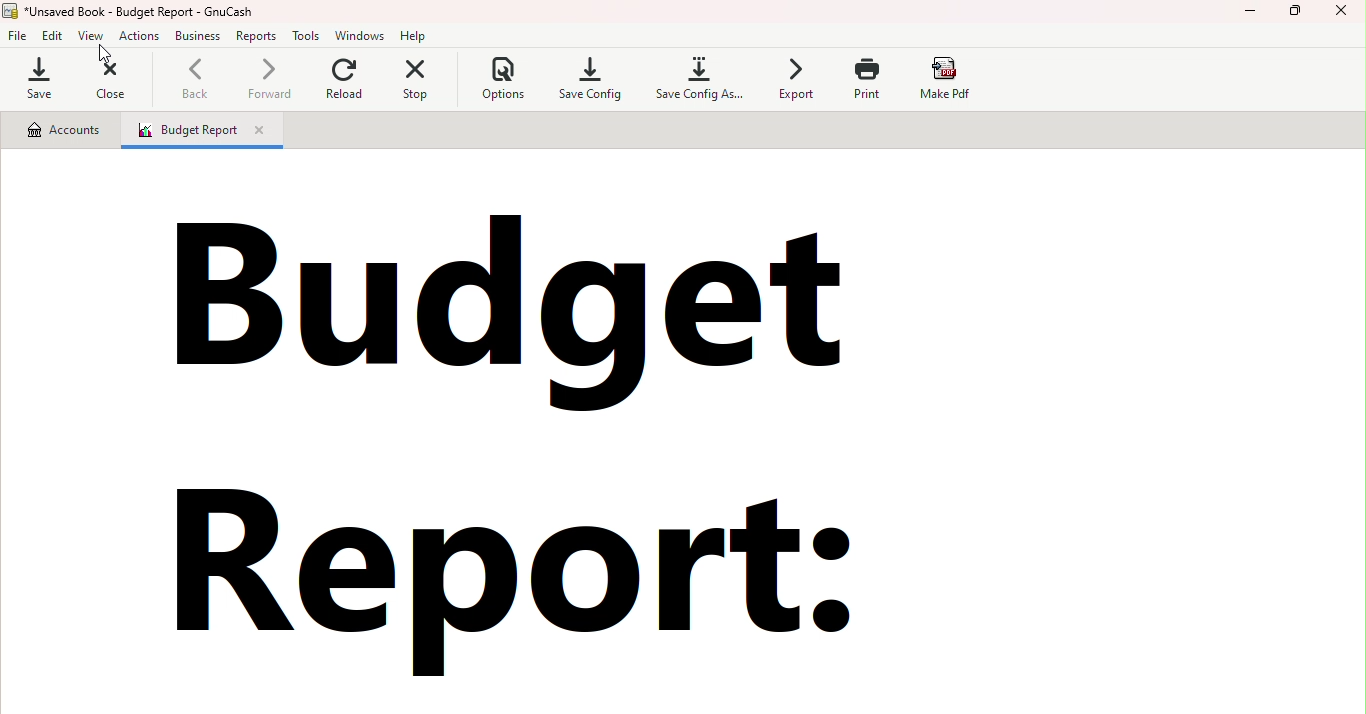 This screenshot has height=714, width=1366. Describe the element at coordinates (417, 35) in the screenshot. I see `Help` at that location.